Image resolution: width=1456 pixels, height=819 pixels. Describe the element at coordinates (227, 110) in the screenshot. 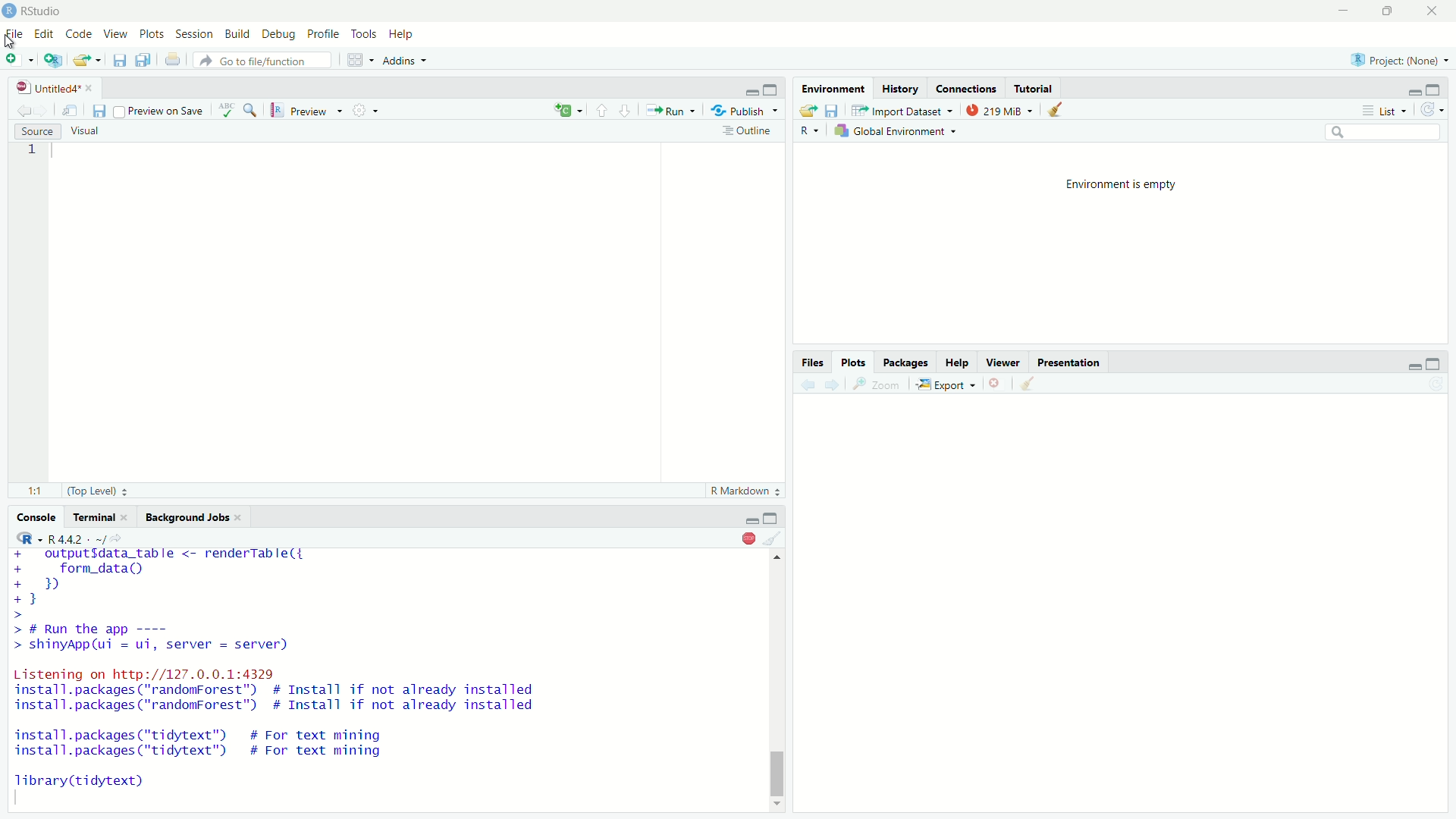

I see `spelling` at that location.